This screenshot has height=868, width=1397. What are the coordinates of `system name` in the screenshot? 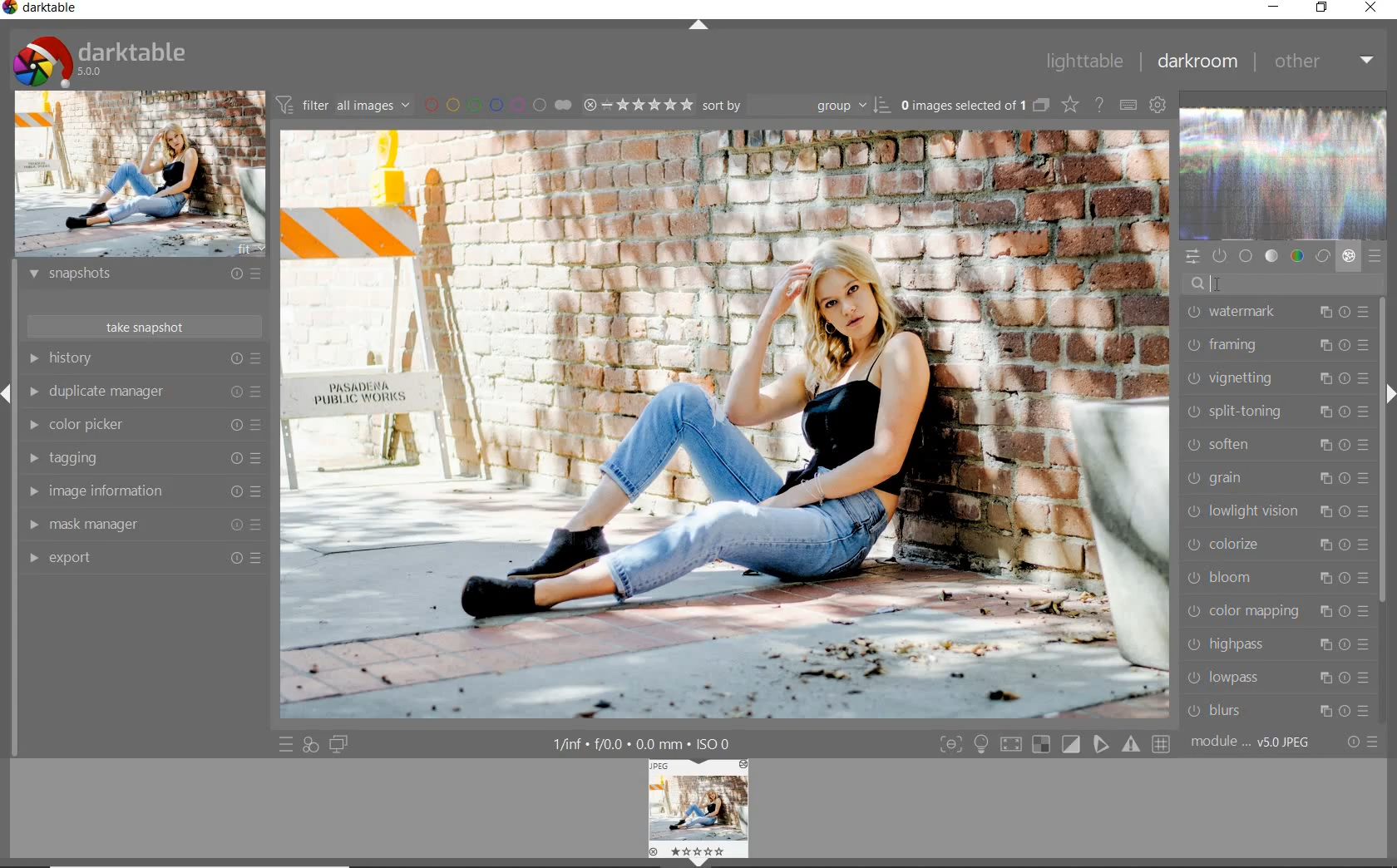 It's located at (45, 10).